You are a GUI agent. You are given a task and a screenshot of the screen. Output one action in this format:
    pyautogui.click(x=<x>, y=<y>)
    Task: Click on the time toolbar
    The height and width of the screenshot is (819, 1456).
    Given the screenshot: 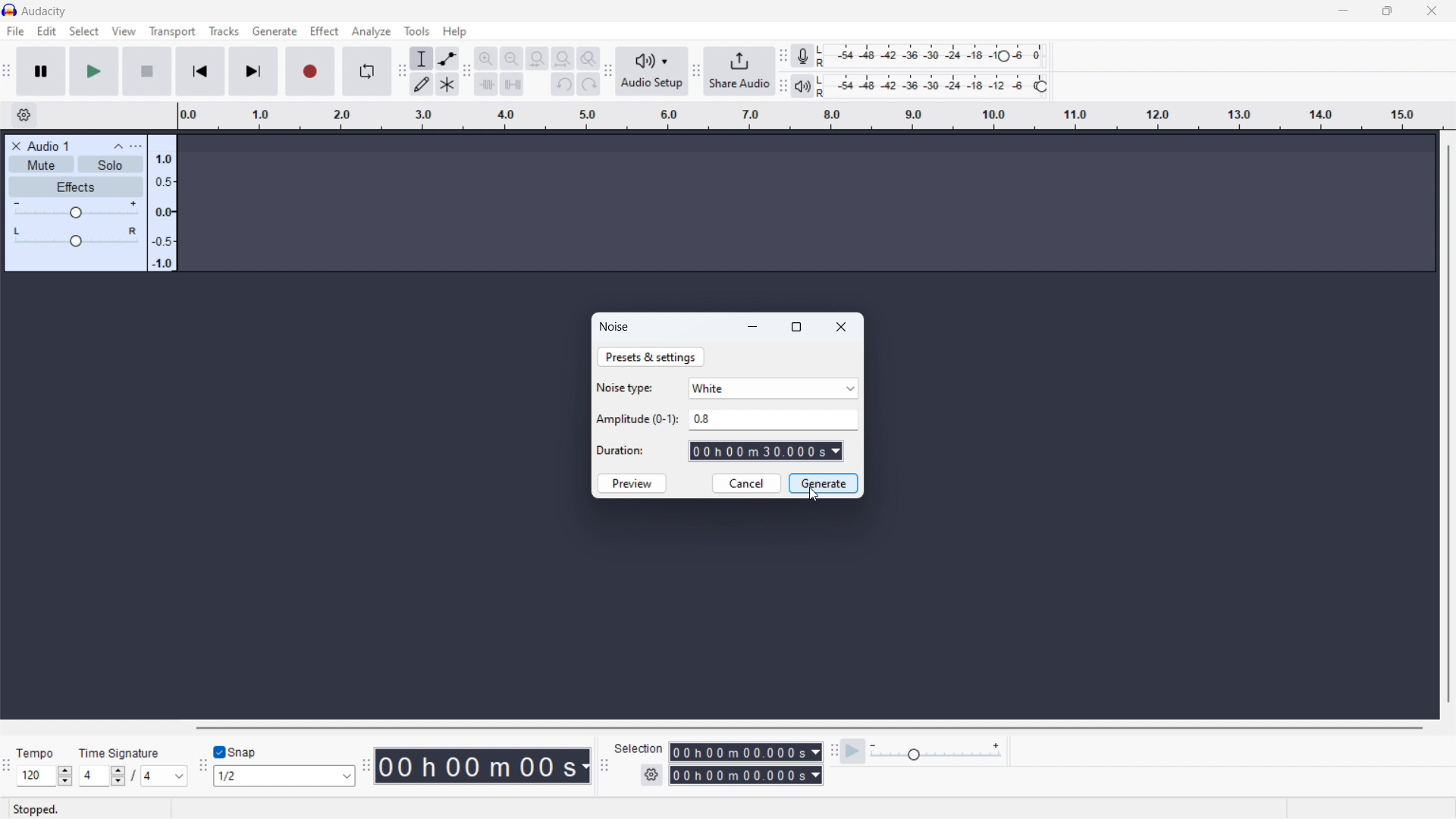 What is the action you would take?
    pyautogui.click(x=366, y=762)
    